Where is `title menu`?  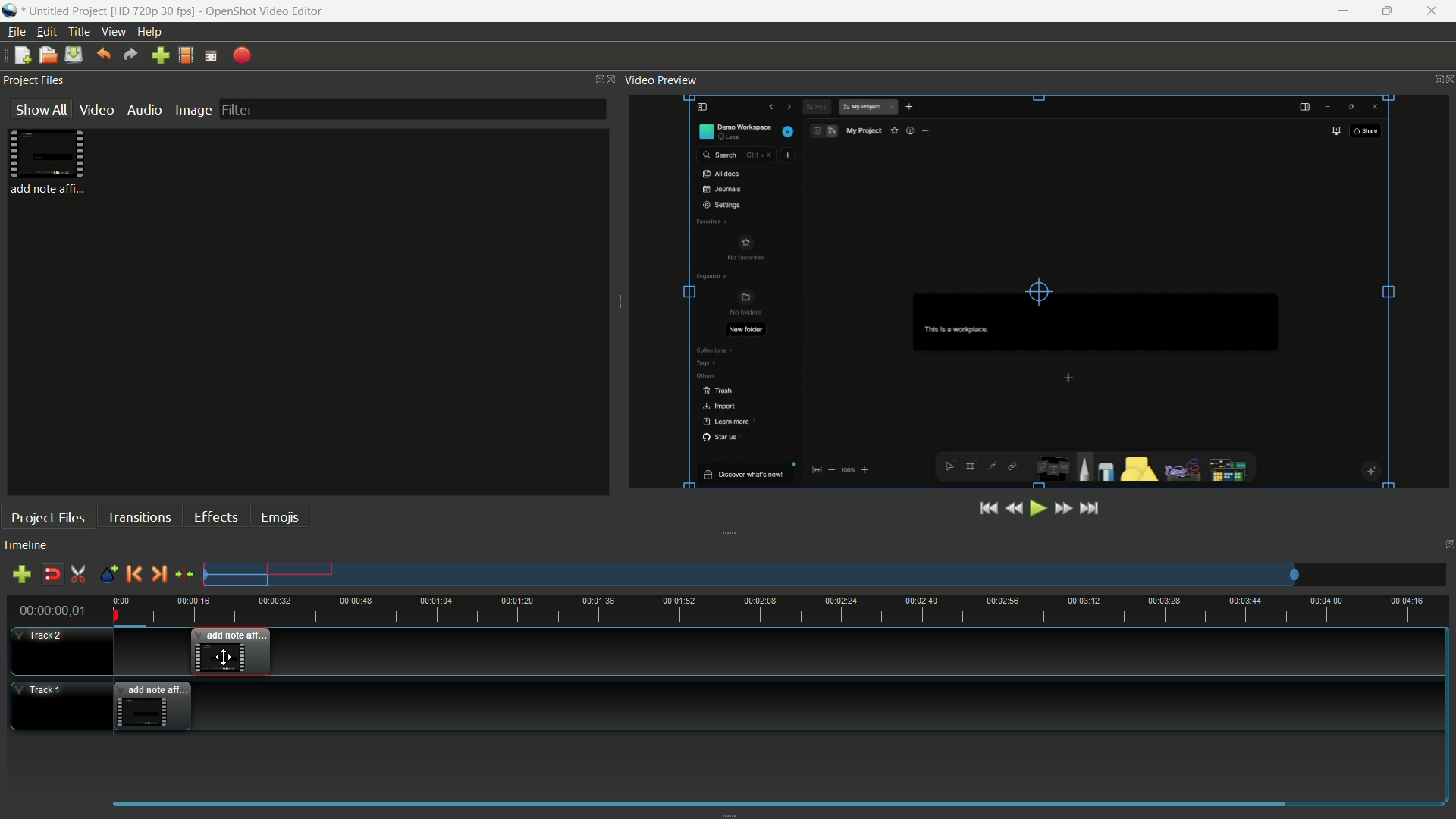
title menu is located at coordinates (79, 31).